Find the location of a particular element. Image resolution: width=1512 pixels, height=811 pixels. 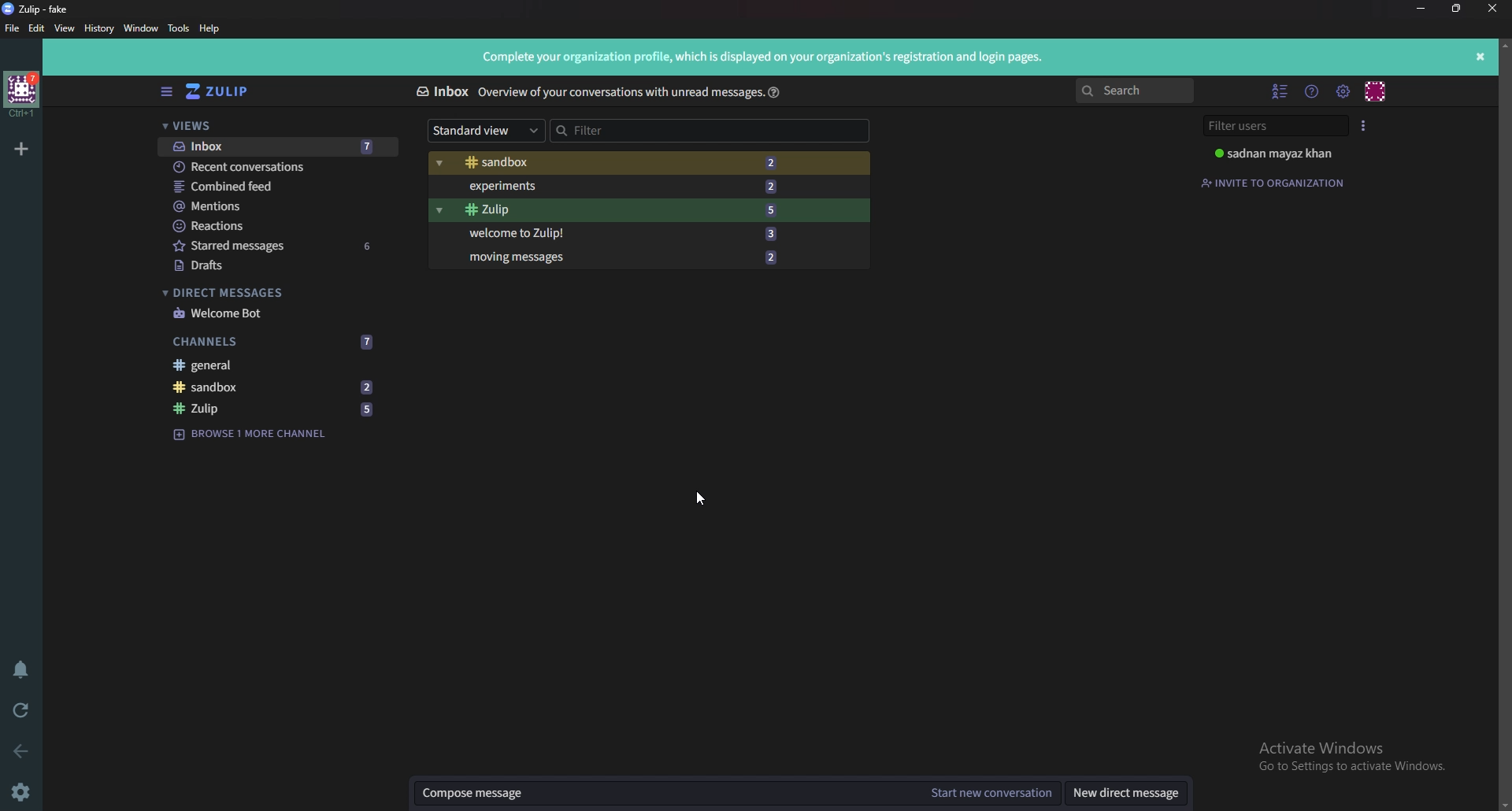

Tools is located at coordinates (177, 29).